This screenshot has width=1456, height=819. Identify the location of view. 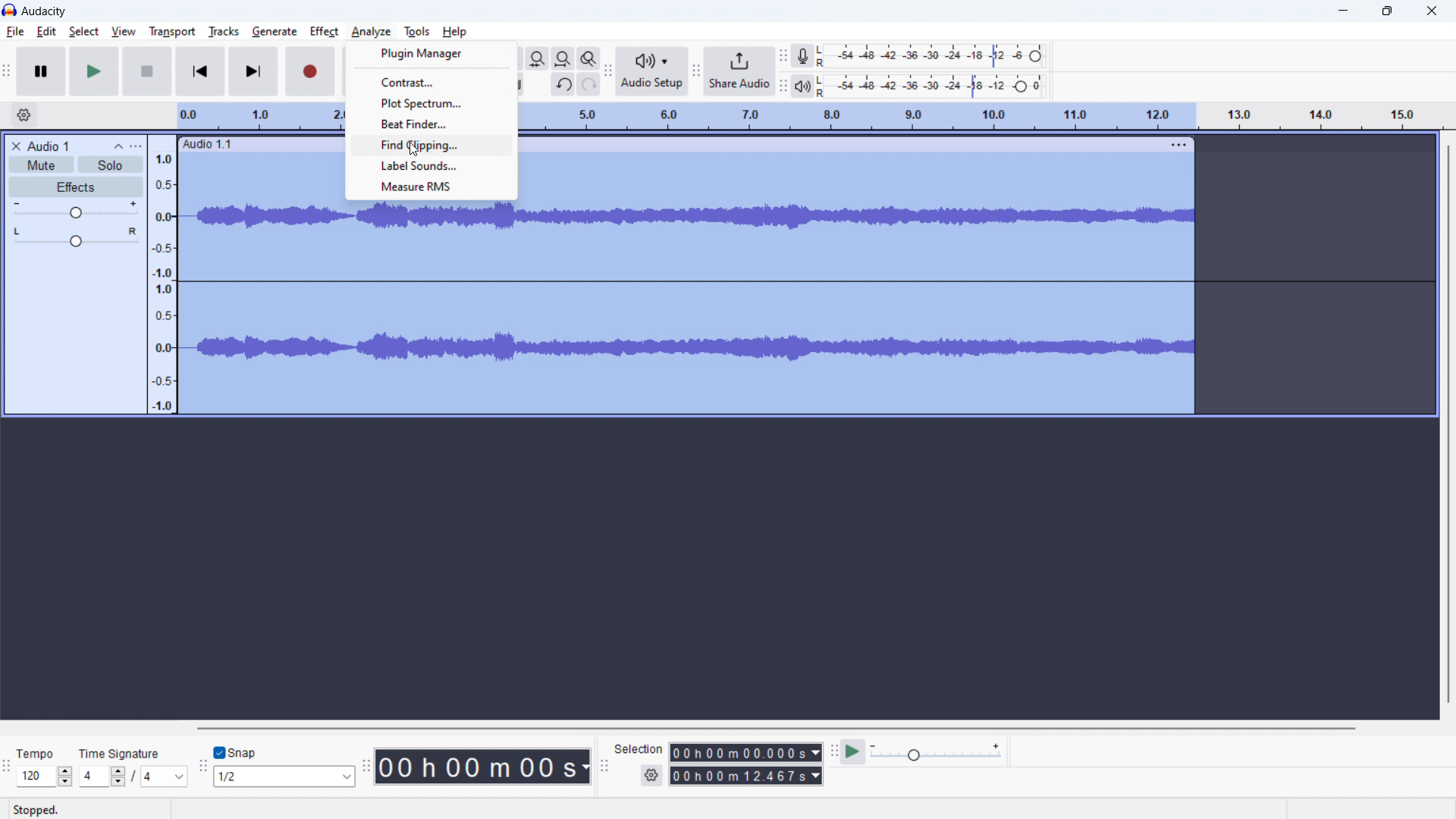
(124, 32).